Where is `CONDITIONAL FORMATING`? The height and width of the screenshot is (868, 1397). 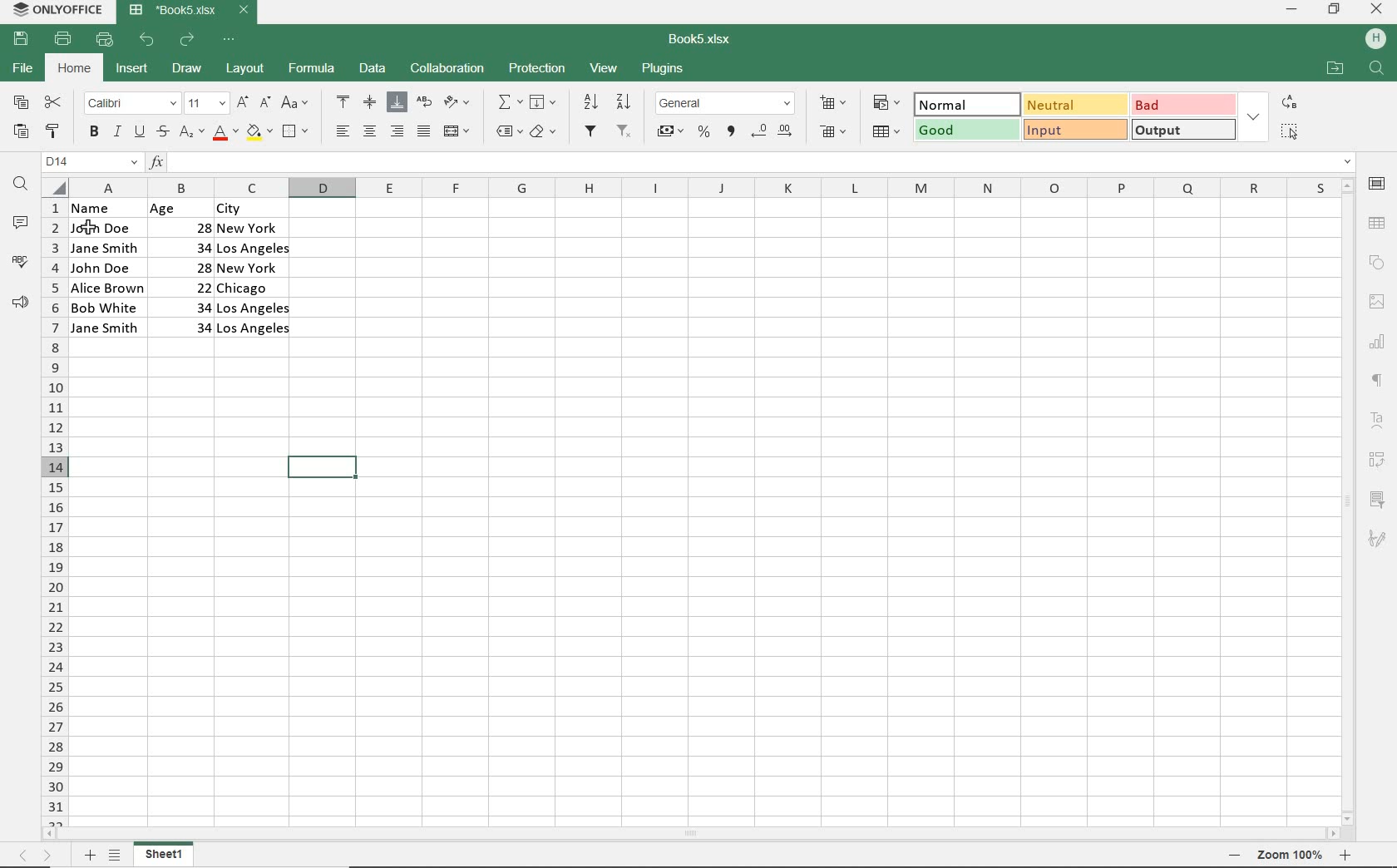
CONDITIONAL FORMATING is located at coordinates (886, 102).